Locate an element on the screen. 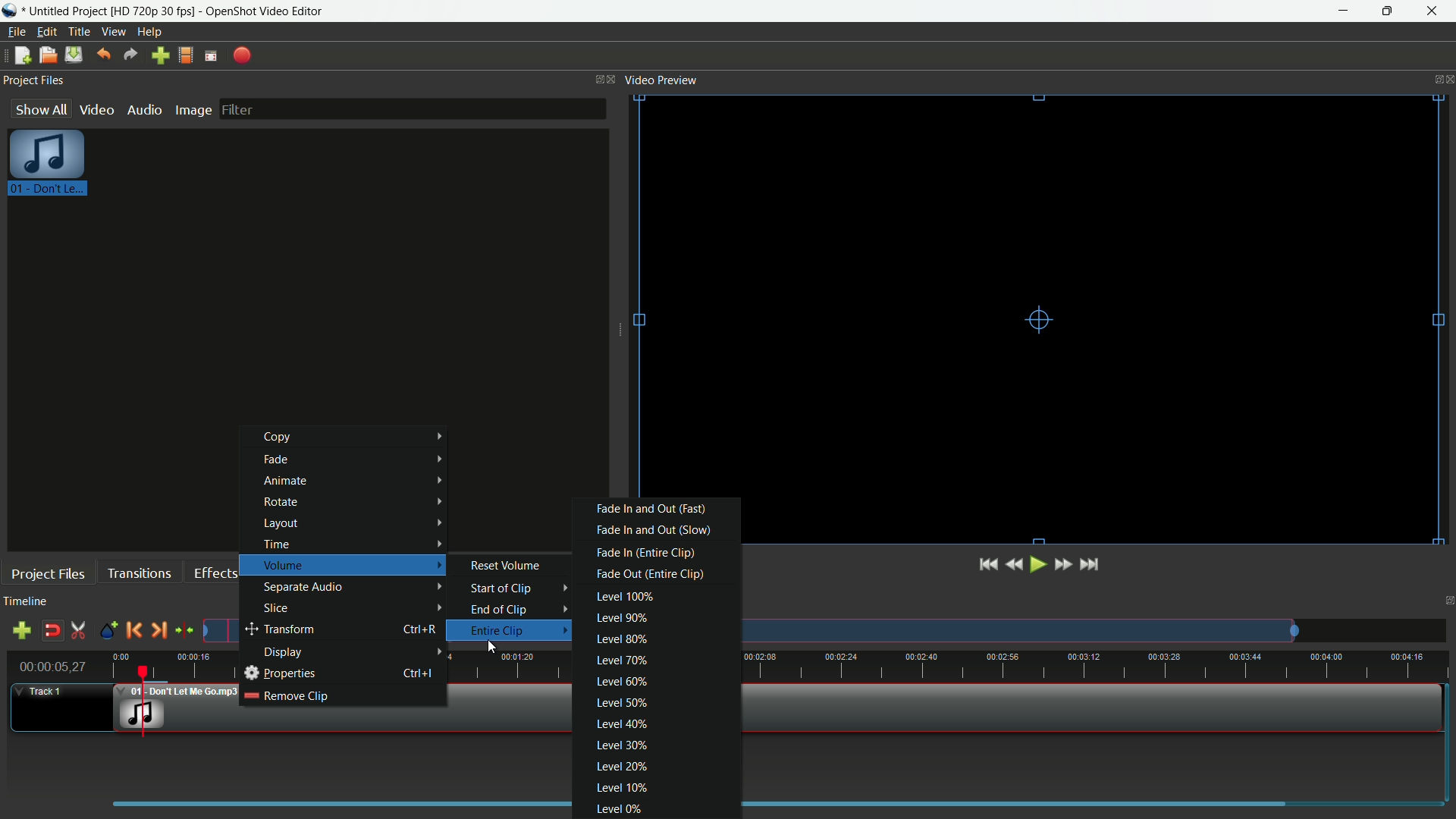 The width and height of the screenshot is (1456, 819). reset volume is located at coordinates (507, 565).